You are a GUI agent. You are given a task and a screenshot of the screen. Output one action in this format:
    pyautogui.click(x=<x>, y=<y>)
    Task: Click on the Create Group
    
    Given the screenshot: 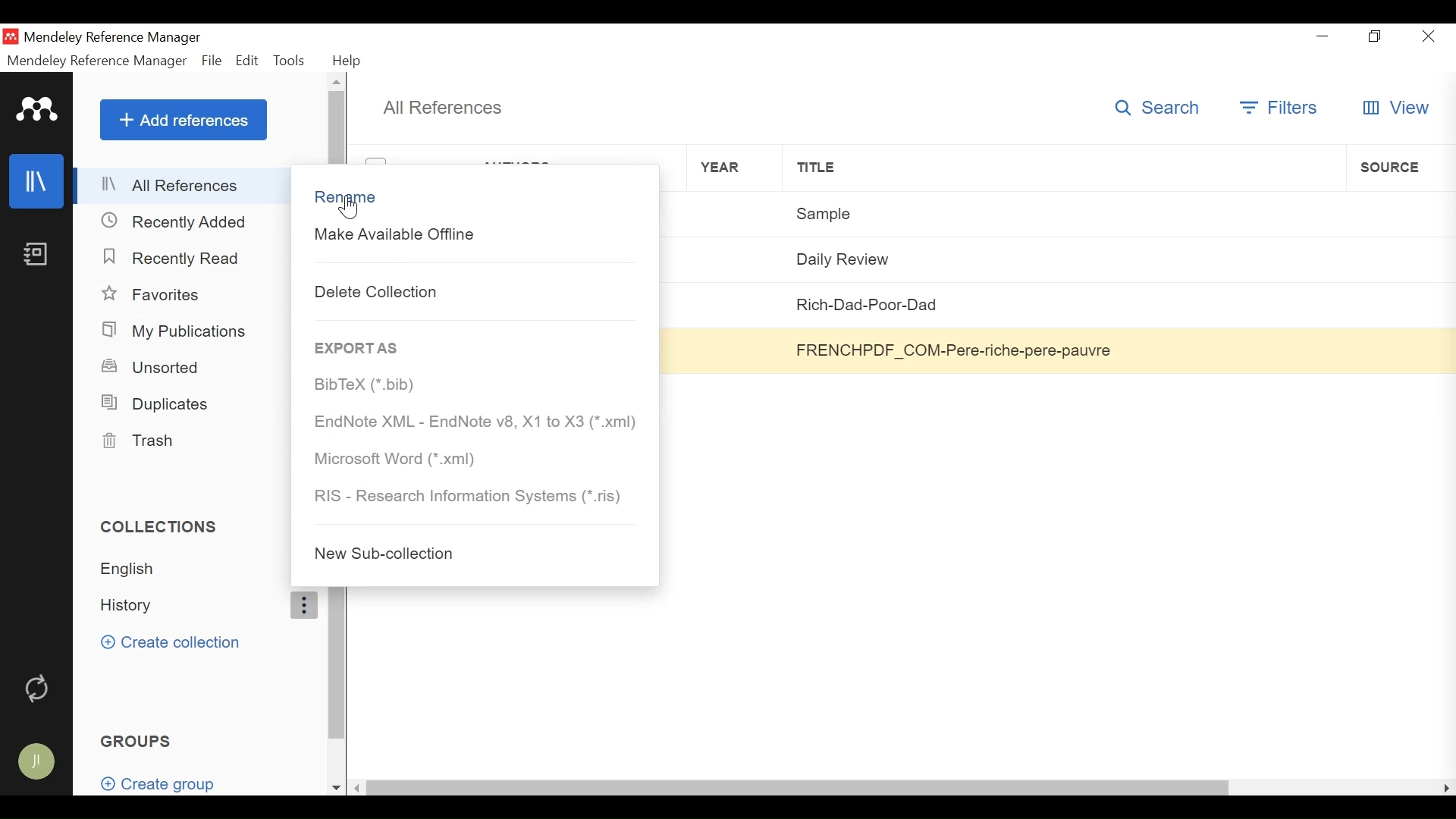 What is the action you would take?
    pyautogui.click(x=168, y=783)
    